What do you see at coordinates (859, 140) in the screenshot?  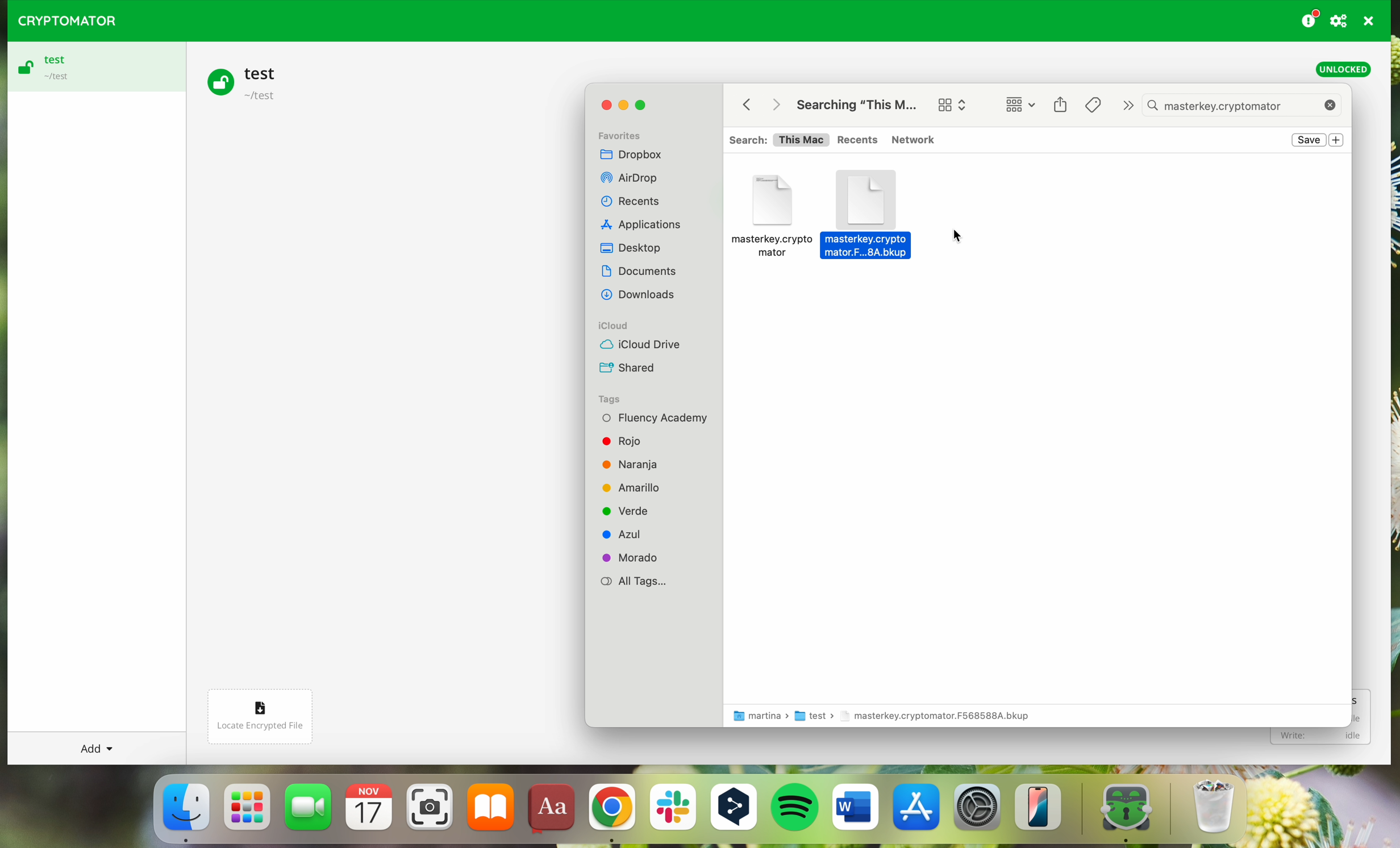 I see `Recents` at bounding box center [859, 140].